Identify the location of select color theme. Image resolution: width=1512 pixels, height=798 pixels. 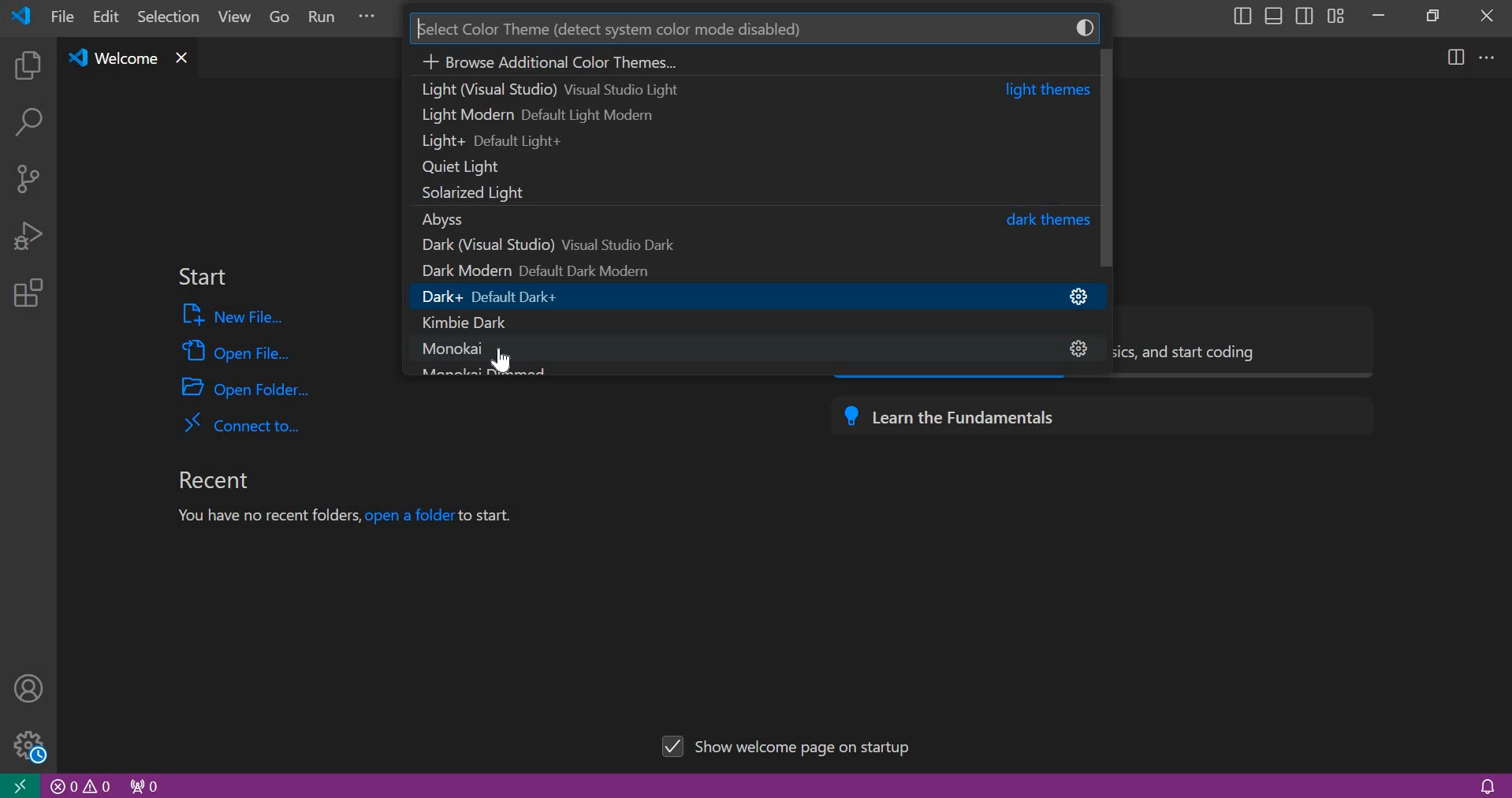
(736, 25).